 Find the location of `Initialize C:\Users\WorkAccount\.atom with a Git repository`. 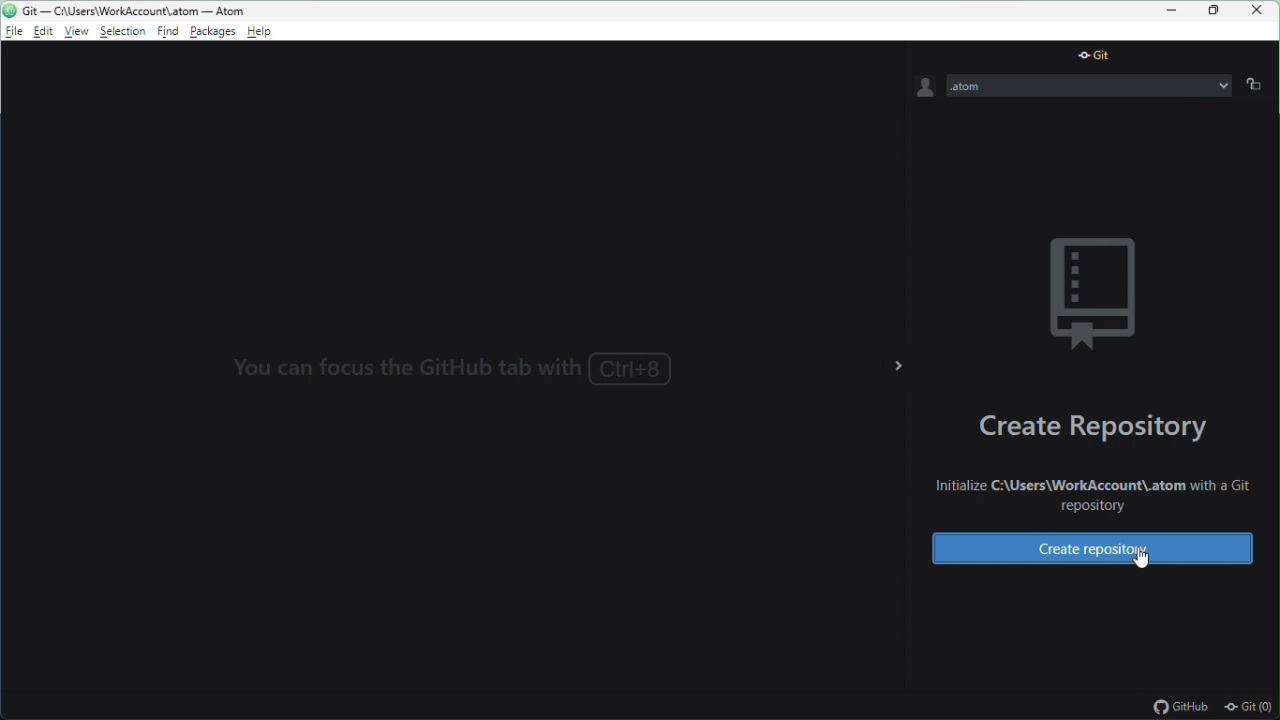

Initialize C:\Users\WorkAccount\.atom with a Git repository is located at coordinates (1087, 490).